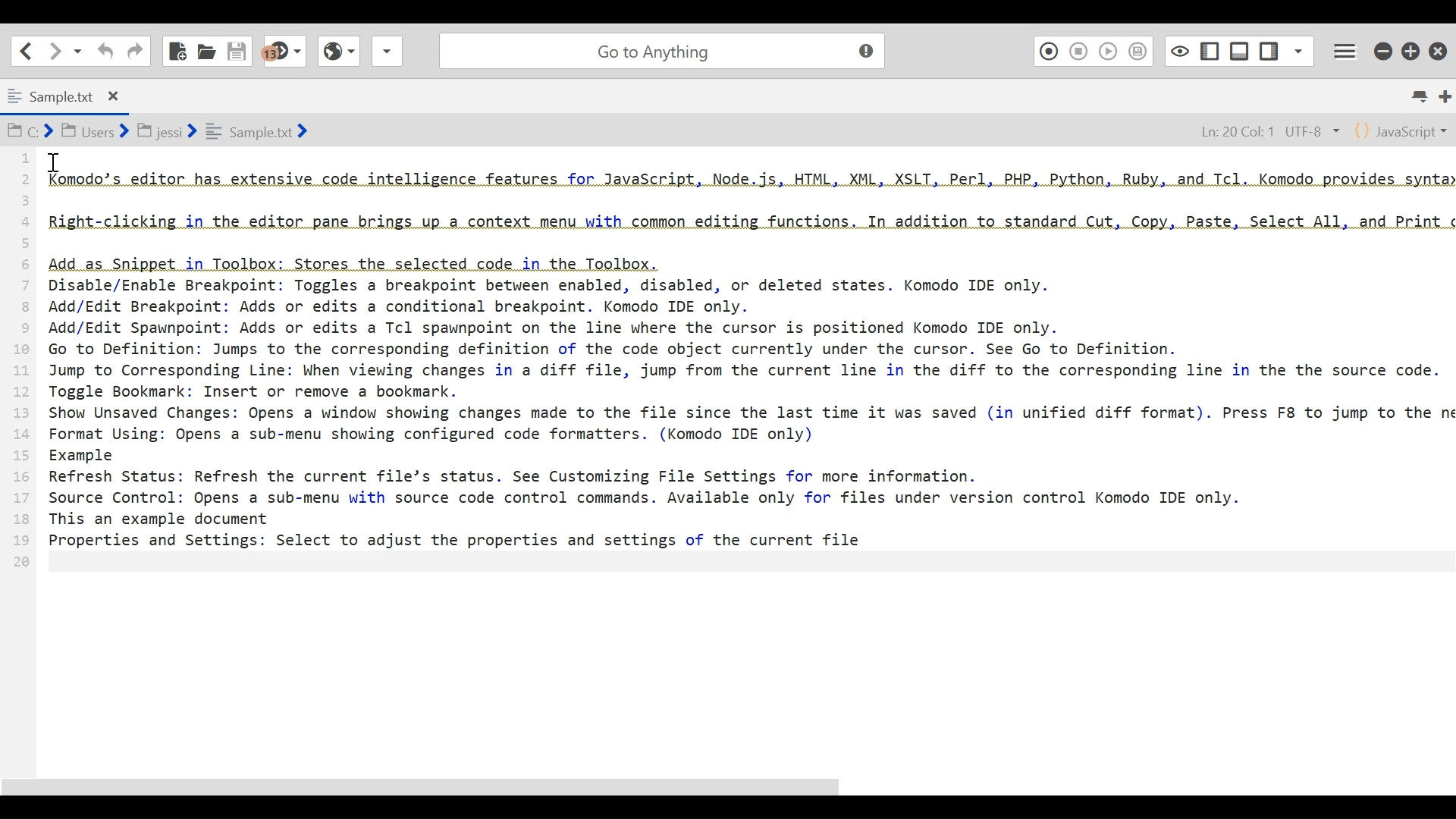  I want to click on Search, so click(659, 49).